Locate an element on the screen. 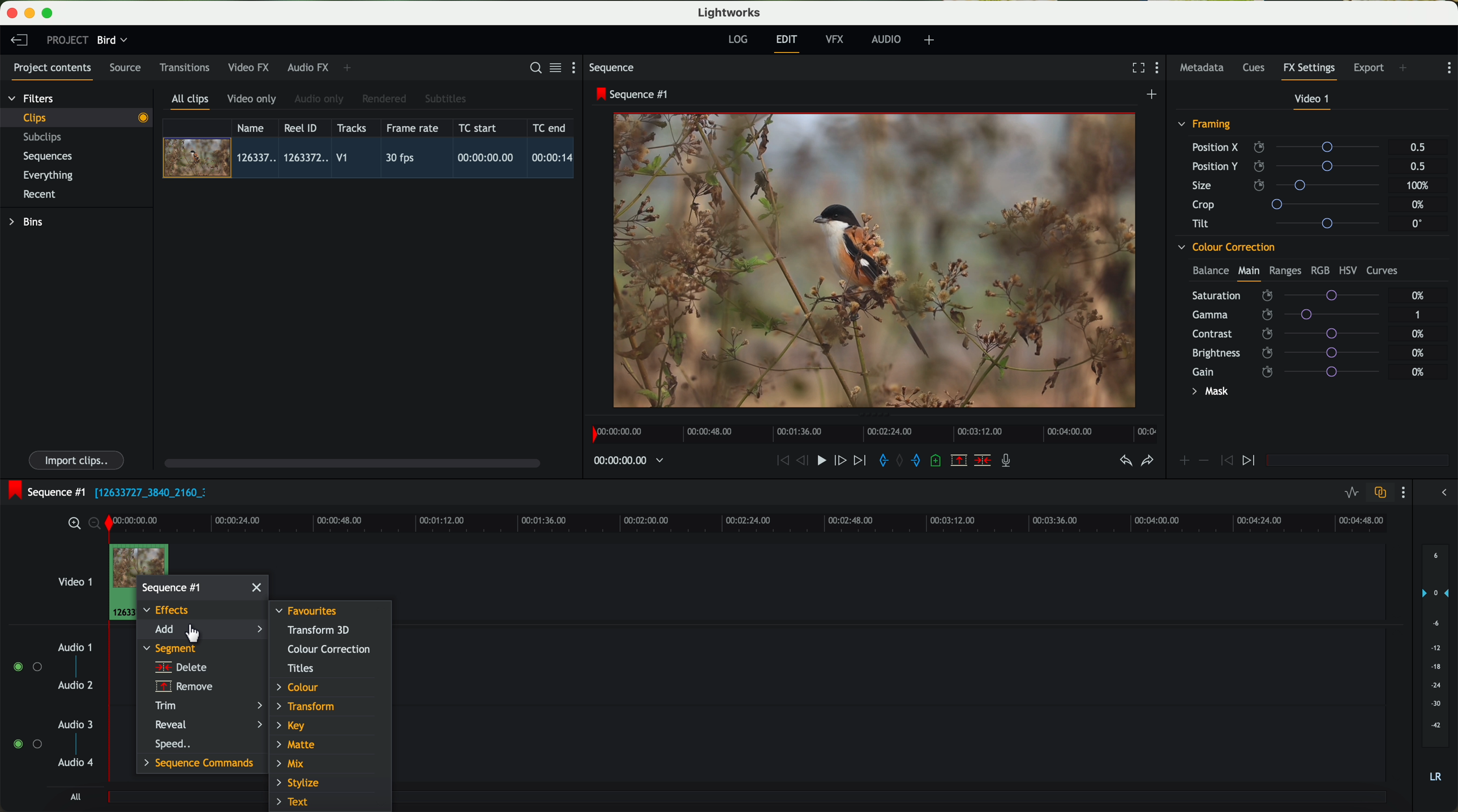 This screenshot has height=812, width=1458. reveal is located at coordinates (211, 724).